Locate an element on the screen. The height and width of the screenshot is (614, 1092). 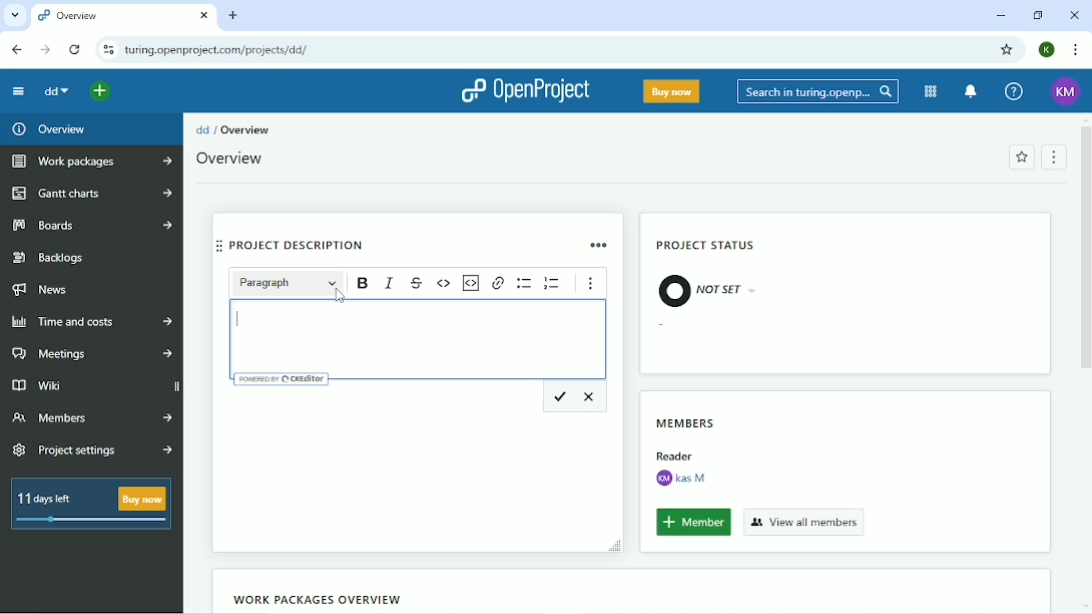
Time and costs is located at coordinates (92, 322).